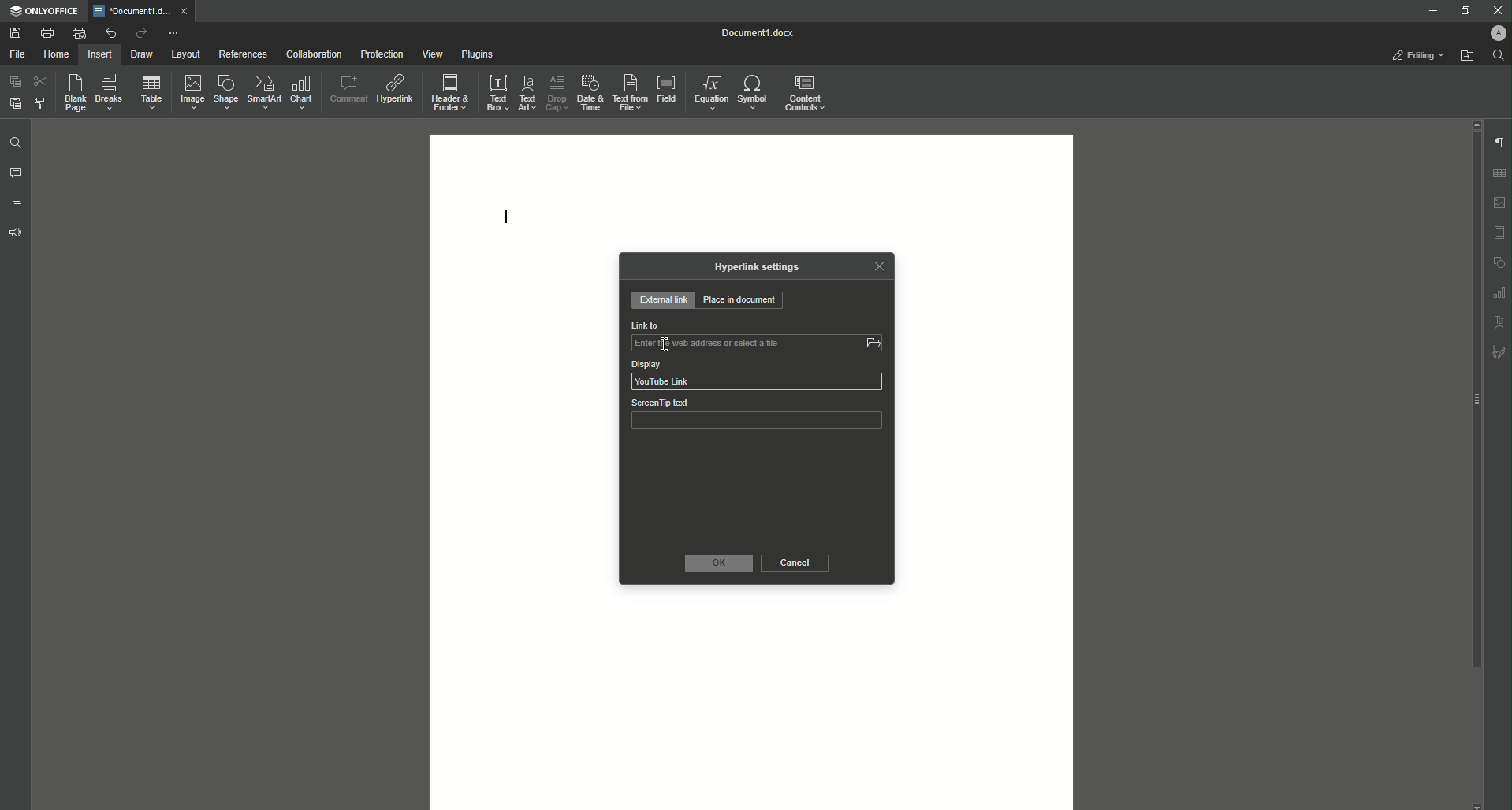  Describe the element at coordinates (661, 403) in the screenshot. I see `ScreenTip text` at that location.